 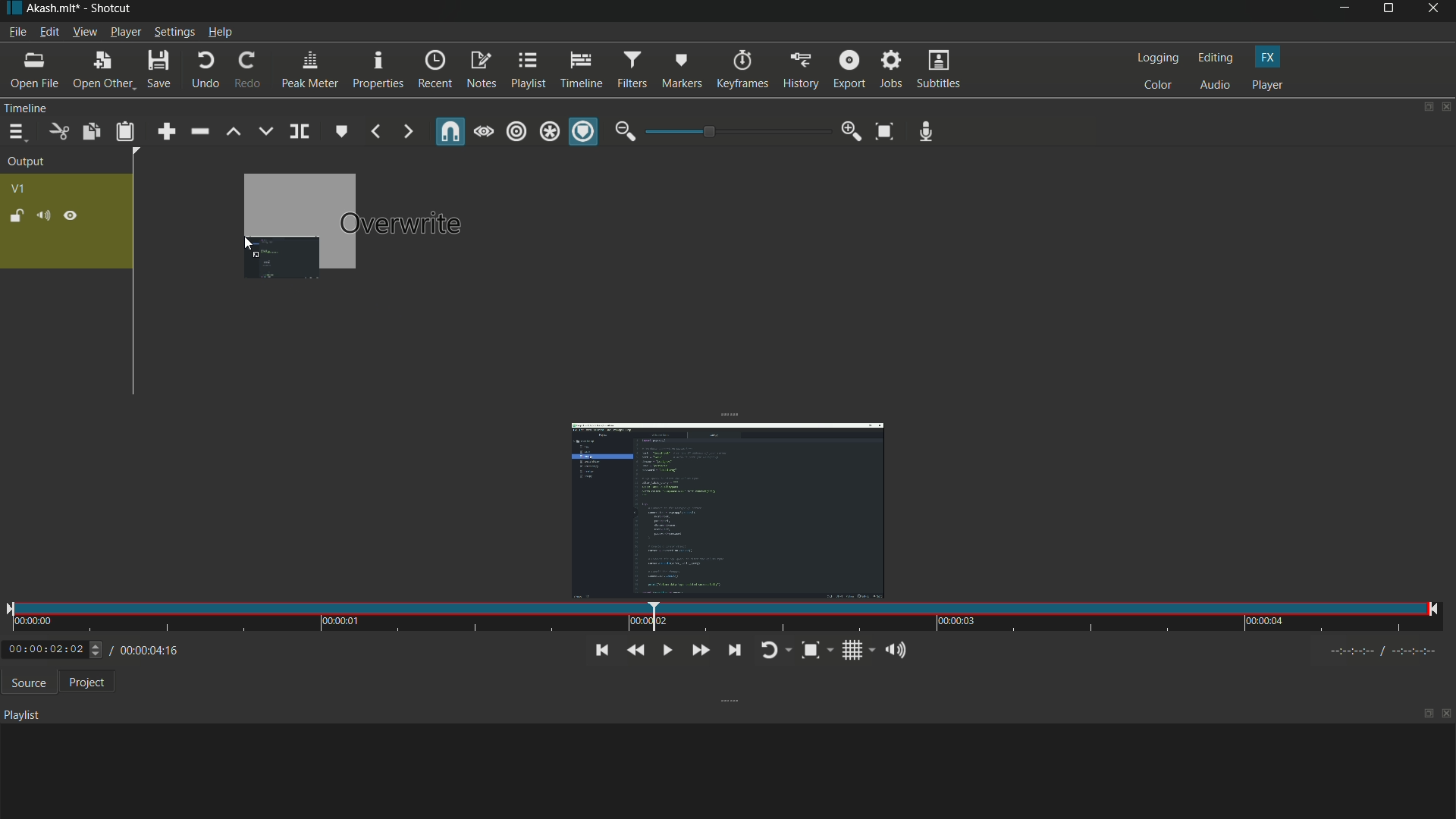 What do you see at coordinates (202, 71) in the screenshot?
I see `undo` at bounding box center [202, 71].